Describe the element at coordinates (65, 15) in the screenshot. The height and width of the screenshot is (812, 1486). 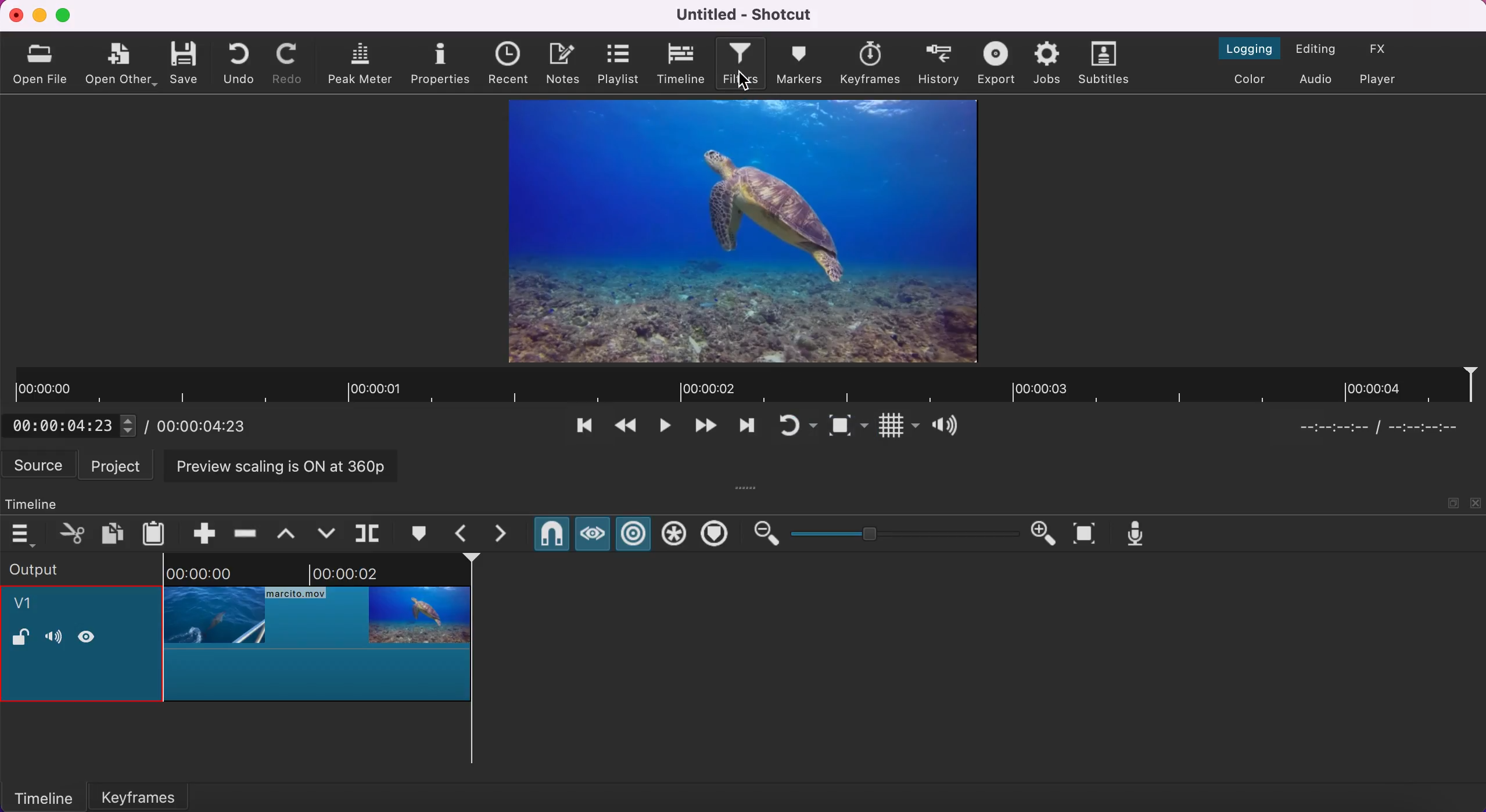
I see `maximize` at that location.